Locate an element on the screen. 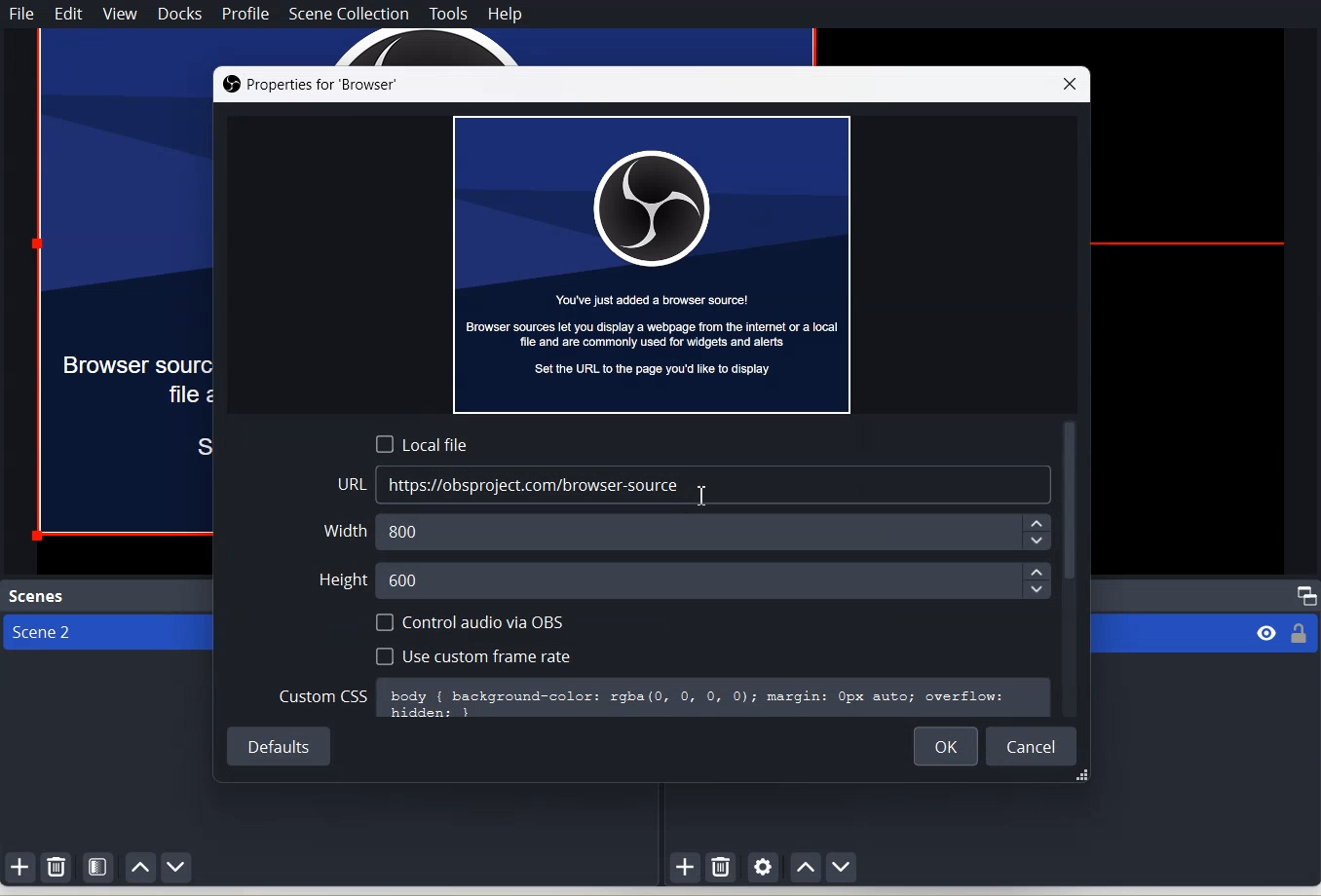 This screenshot has height=896, width=1321. Edit is located at coordinates (70, 14).